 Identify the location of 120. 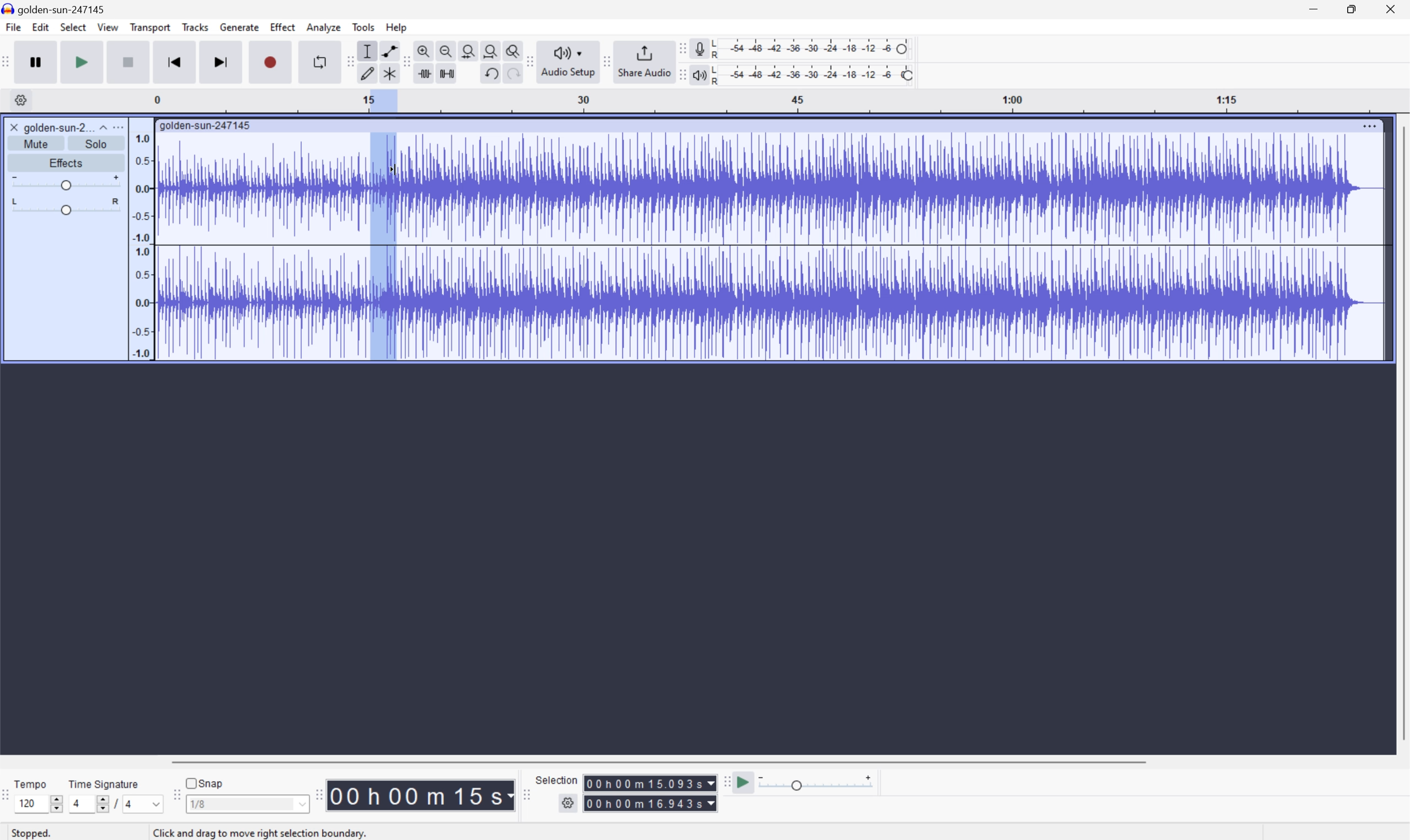
(27, 803).